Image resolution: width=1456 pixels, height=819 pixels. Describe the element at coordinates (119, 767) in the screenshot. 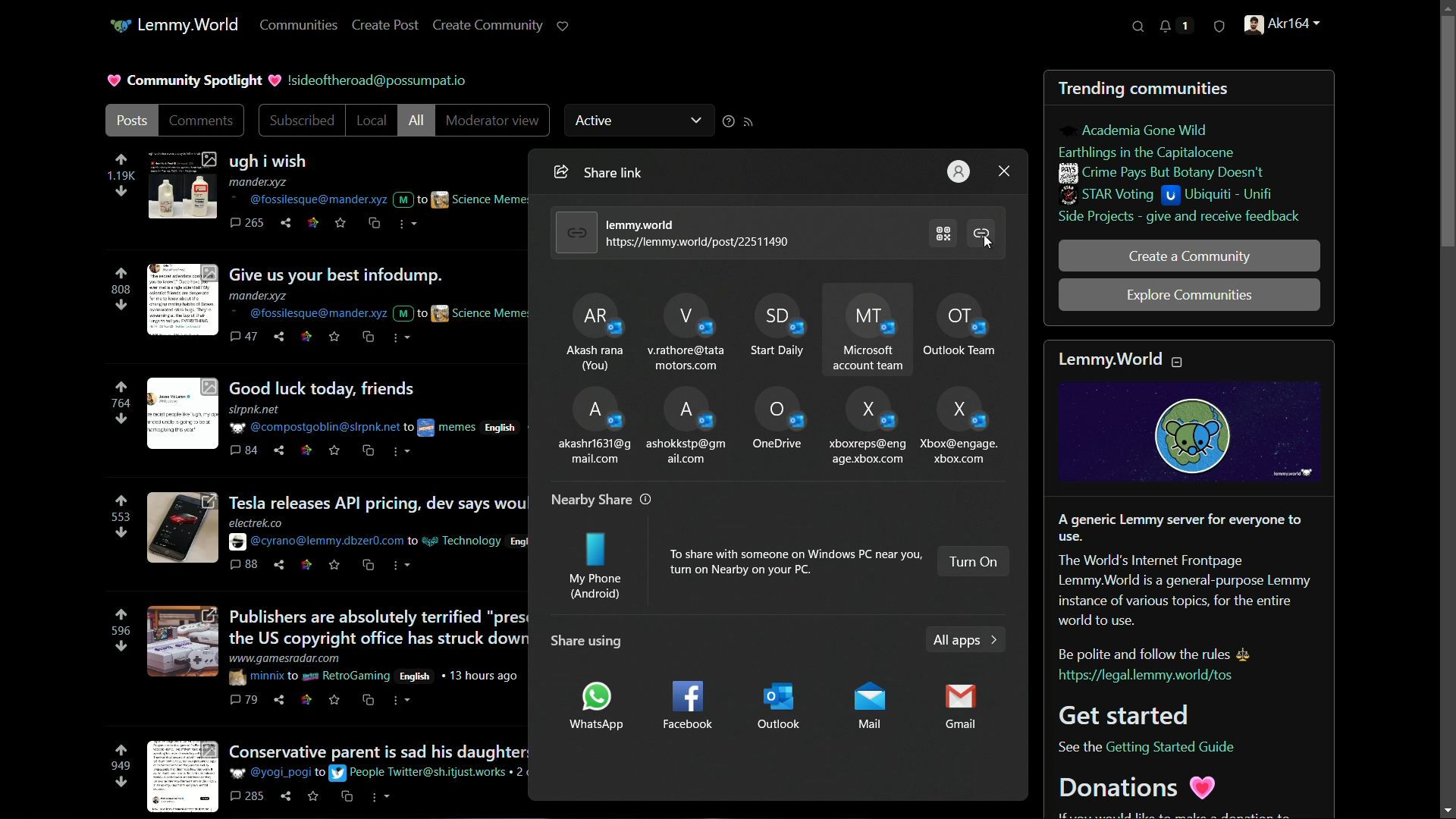

I see `949` at that location.